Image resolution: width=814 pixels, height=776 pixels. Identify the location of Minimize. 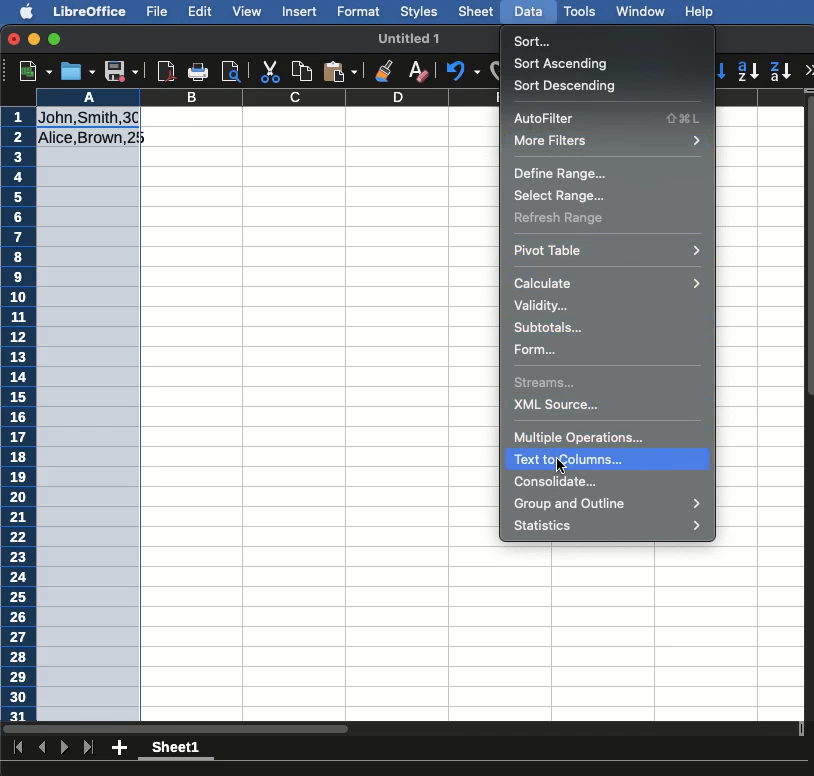
(34, 38).